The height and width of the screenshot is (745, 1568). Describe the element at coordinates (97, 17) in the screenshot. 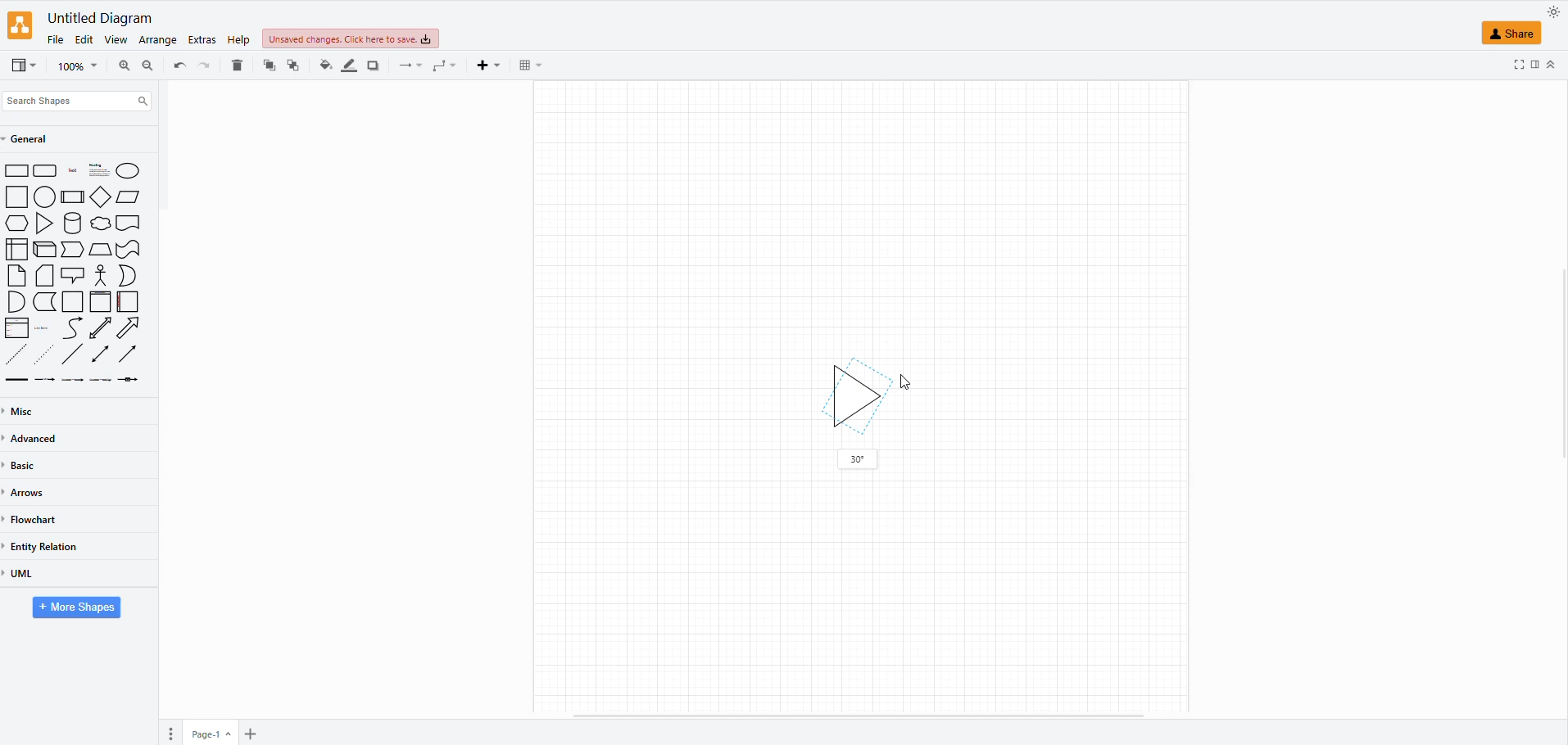

I see `file name` at that location.